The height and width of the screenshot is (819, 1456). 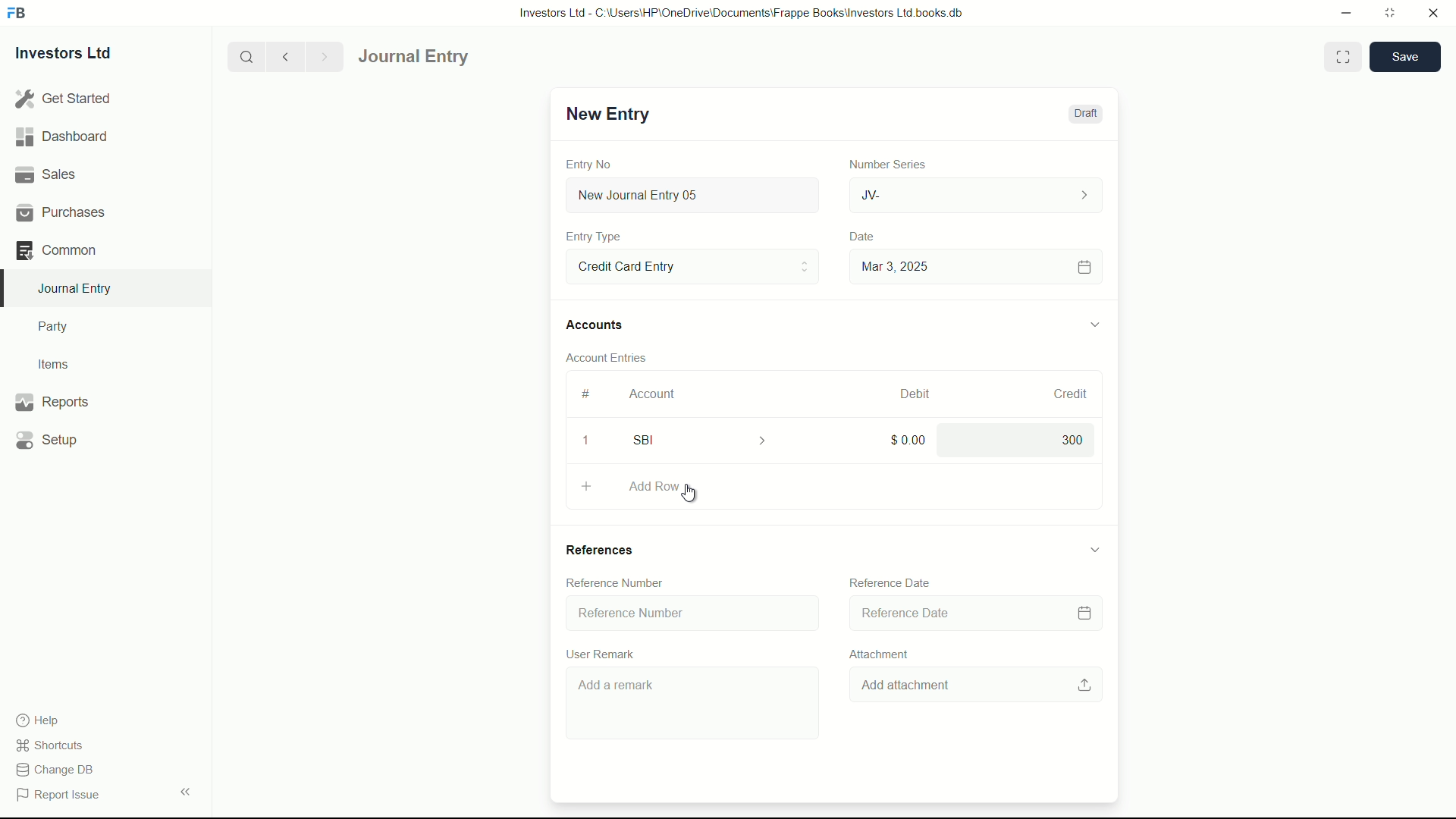 What do you see at coordinates (613, 583) in the screenshot?
I see `Reference Number` at bounding box center [613, 583].